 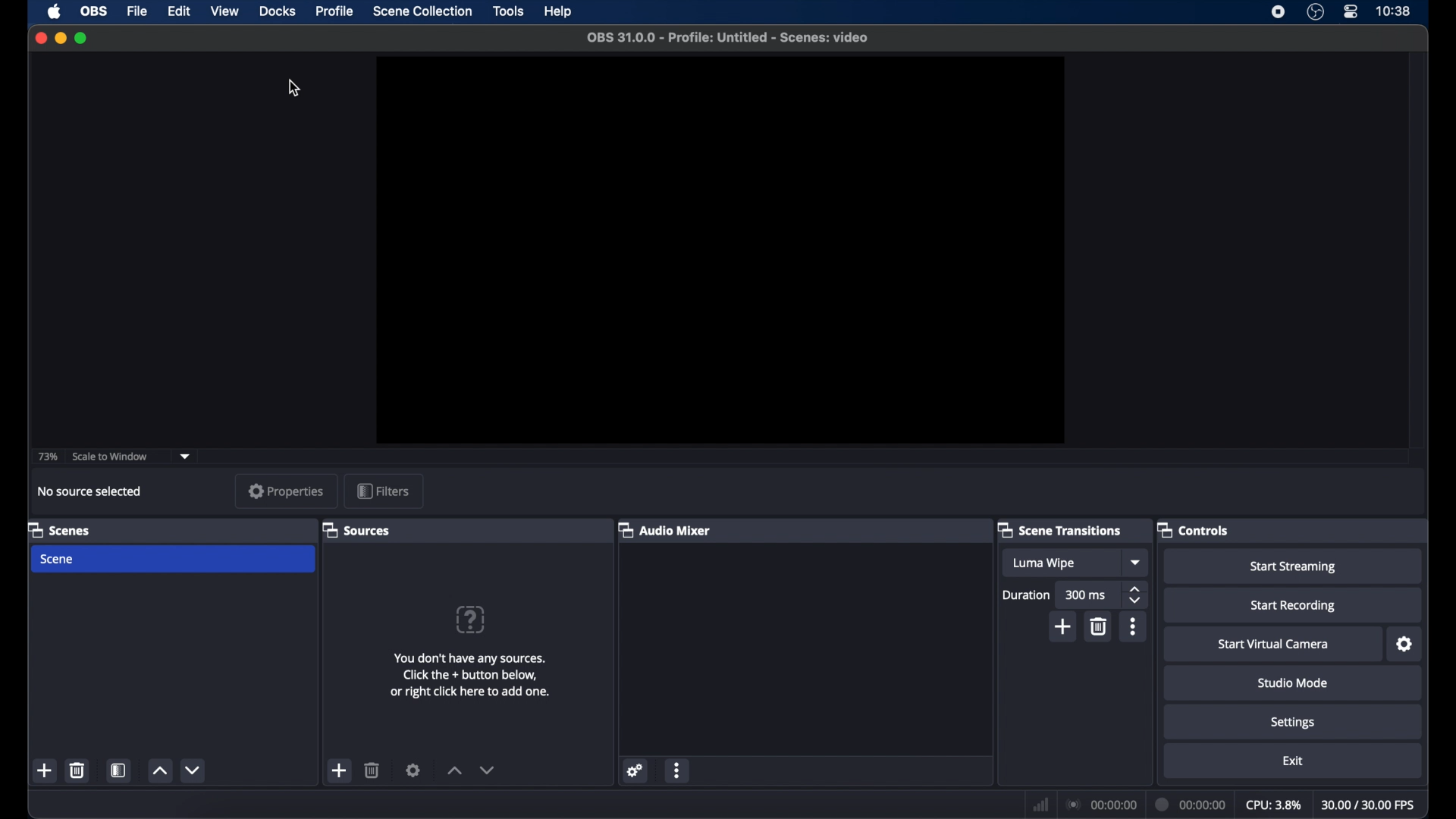 I want to click on OBS 31.0.0 - Profile: Untitled - Scenes: video, so click(x=731, y=36).